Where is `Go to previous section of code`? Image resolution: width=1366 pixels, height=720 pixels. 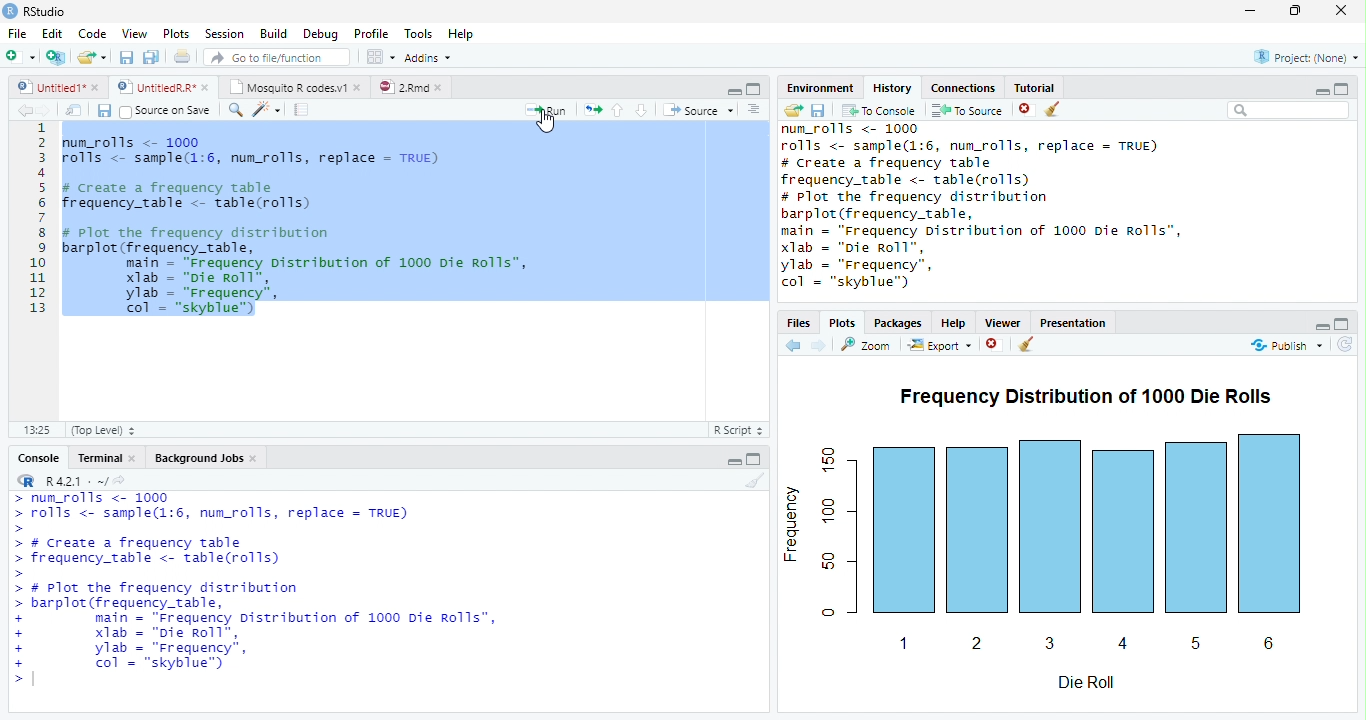
Go to previous section of code is located at coordinates (619, 111).